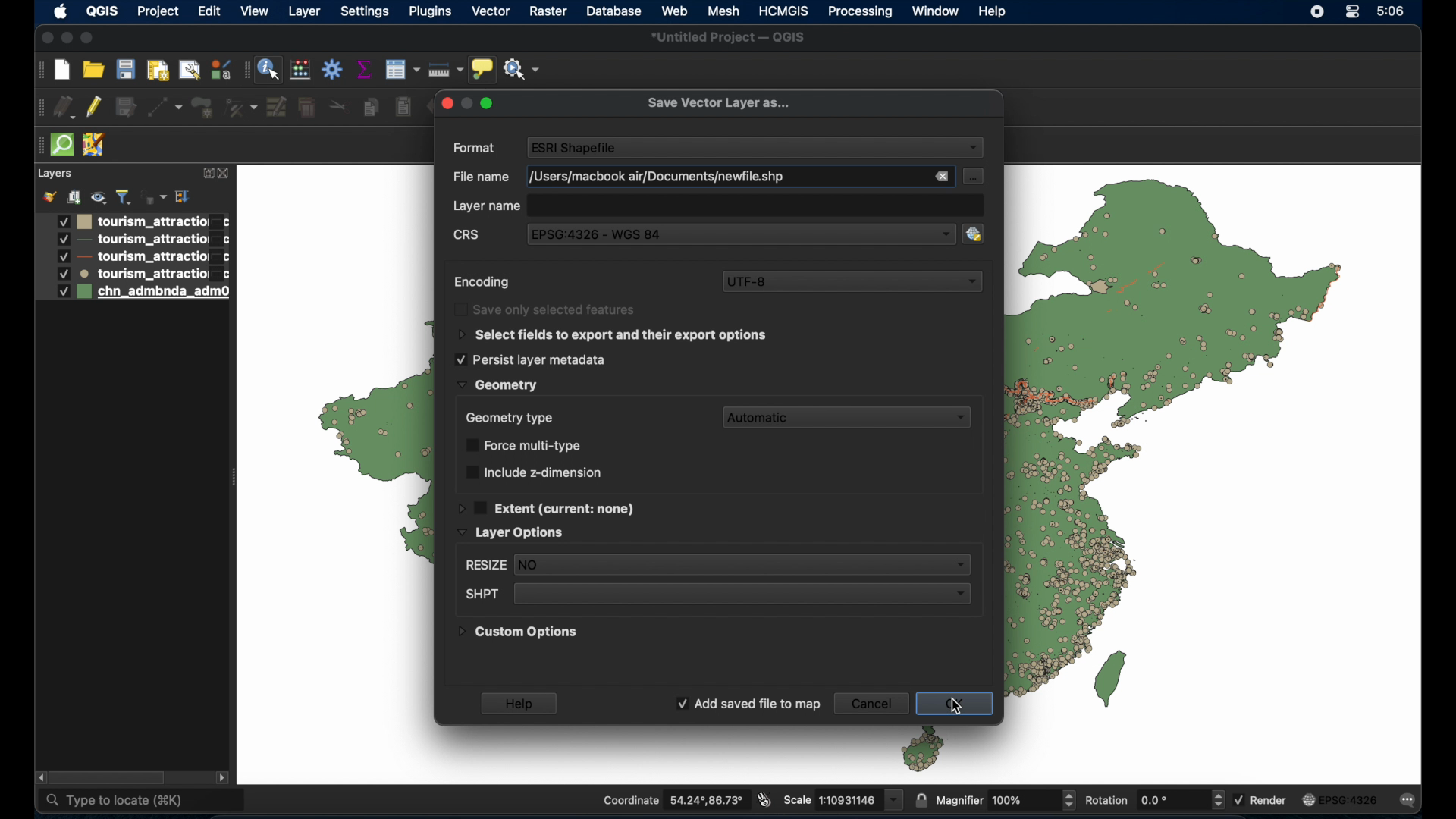 The image size is (1456, 819). Describe the element at coordinates (155, 11) in the screenshot. I see `project` at that location.